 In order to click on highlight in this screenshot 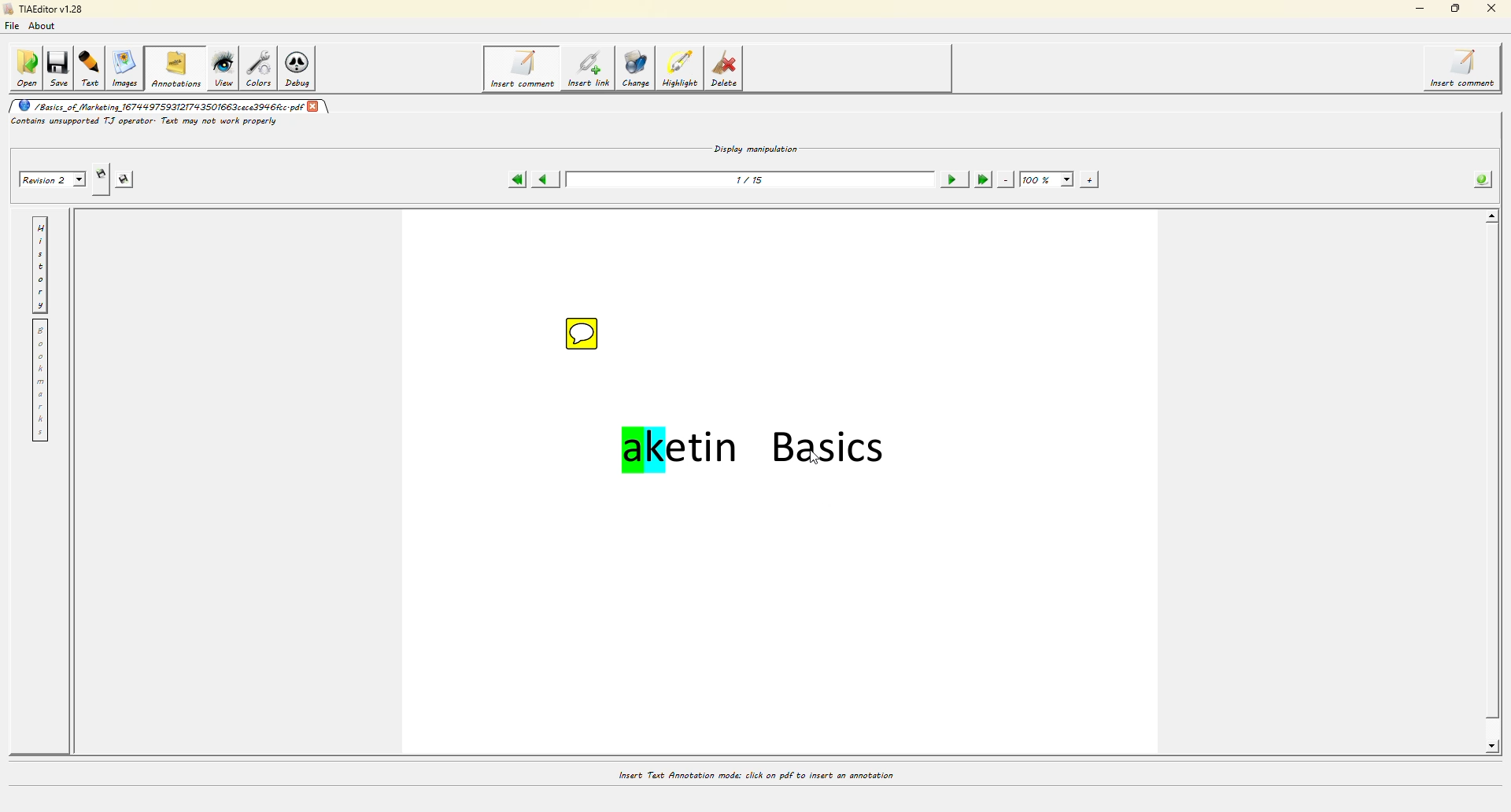, I will do `click(683, 69)`.